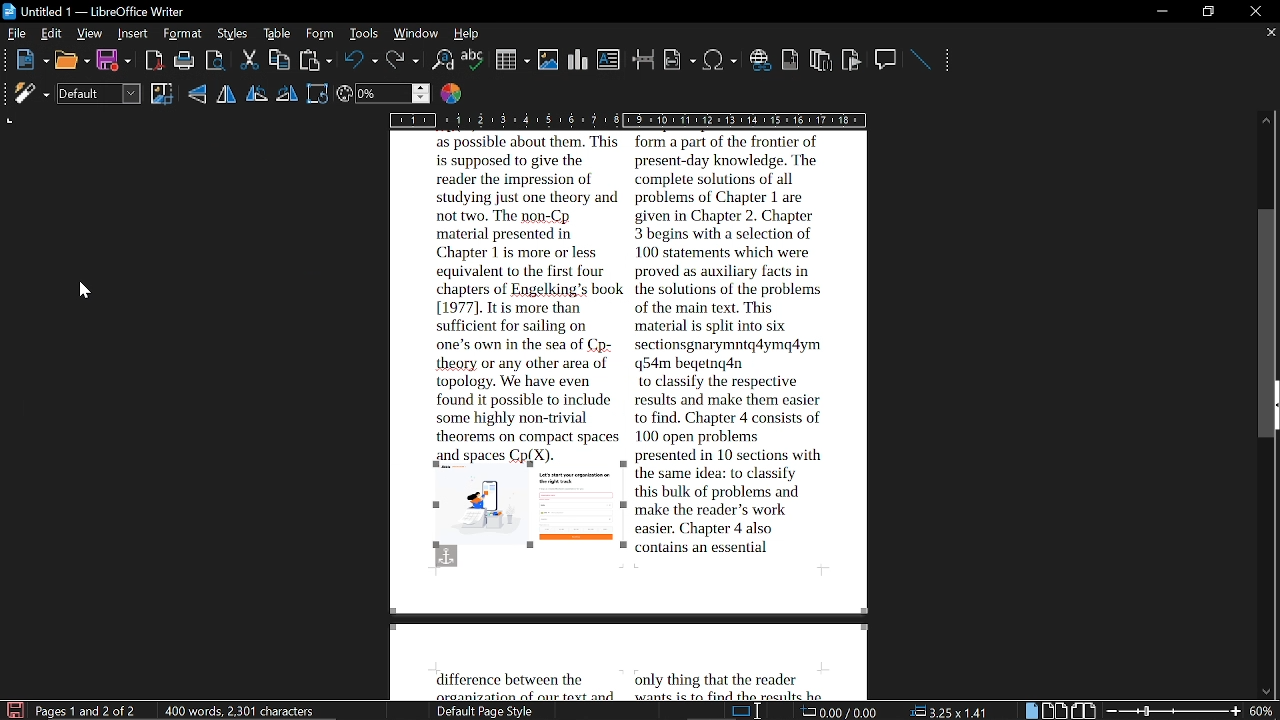 The height and width of the screenshot is (720, 1280). I want to click on rotate 90 degree left, so click(256, 93).